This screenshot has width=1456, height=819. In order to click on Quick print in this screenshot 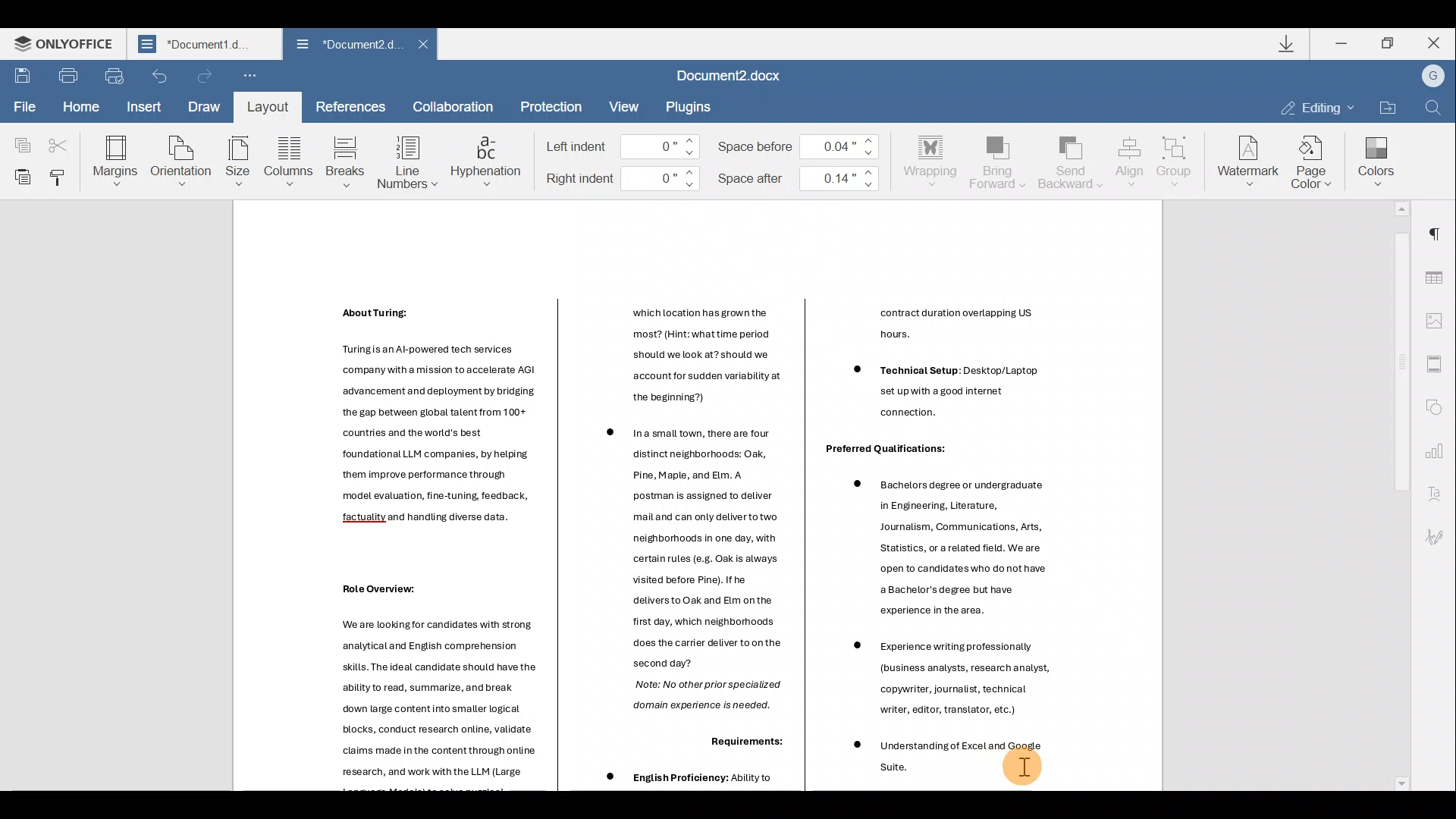, I will do `click(115, 74)`.